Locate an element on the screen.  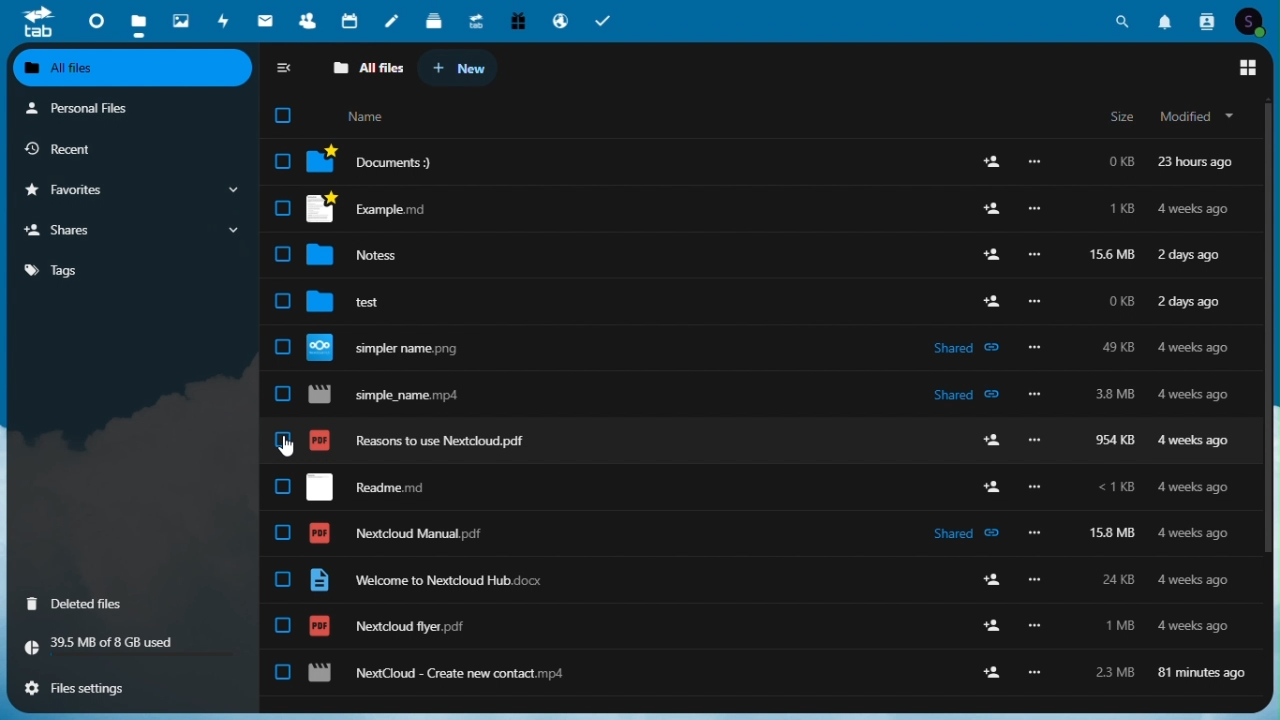
more options is located at coordinates (1036, 626).